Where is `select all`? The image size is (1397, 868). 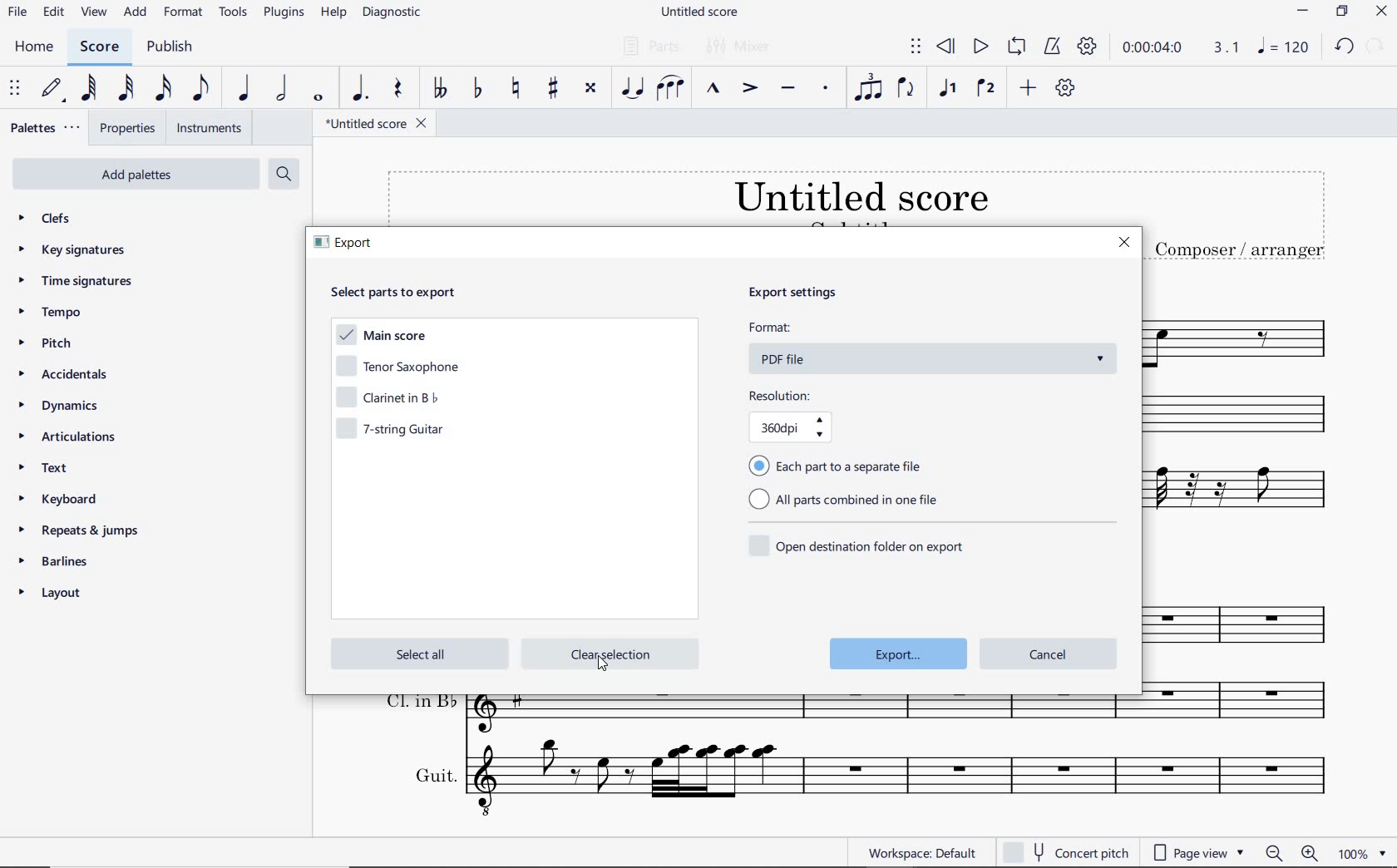 select all is located at coordinates (417, 653).